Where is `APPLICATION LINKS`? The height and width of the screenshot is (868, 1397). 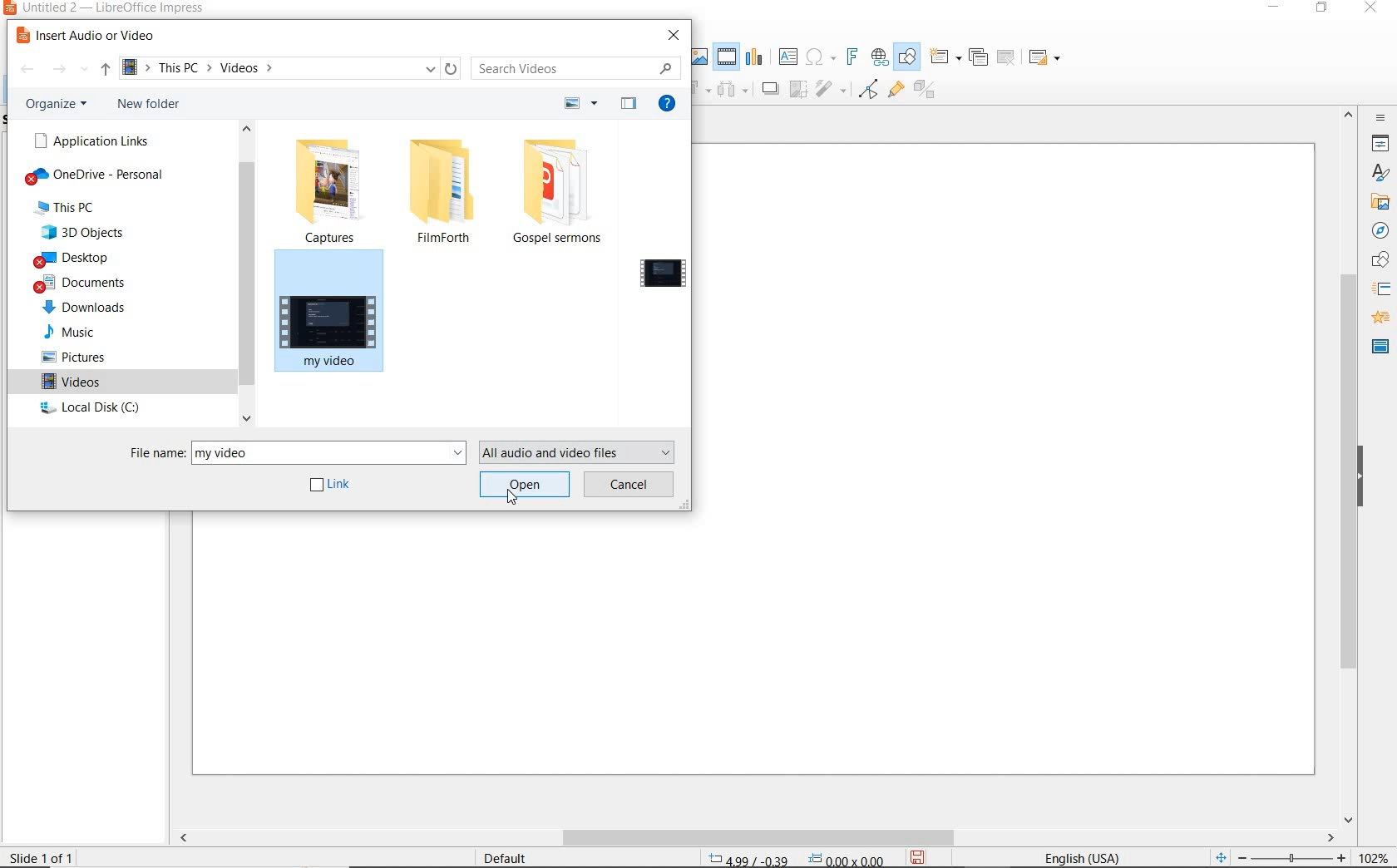
APPLICATION LINKS is located at coordinates (93, 140).